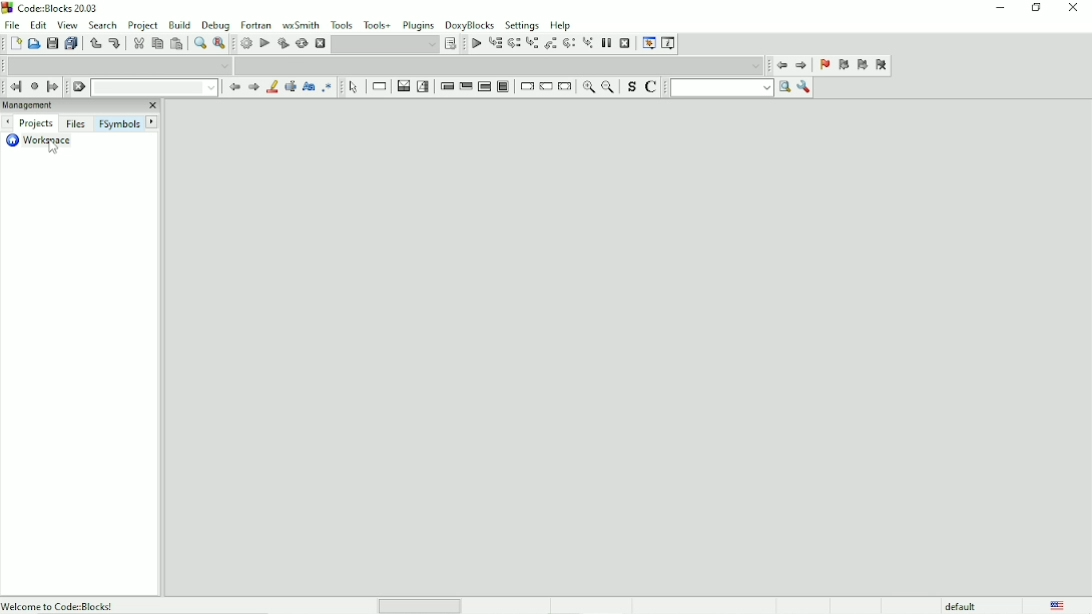 The image size is (1092, 614). Describe the element at coordinates (424, 86) in the screenshot. I see `Selection` at that location.